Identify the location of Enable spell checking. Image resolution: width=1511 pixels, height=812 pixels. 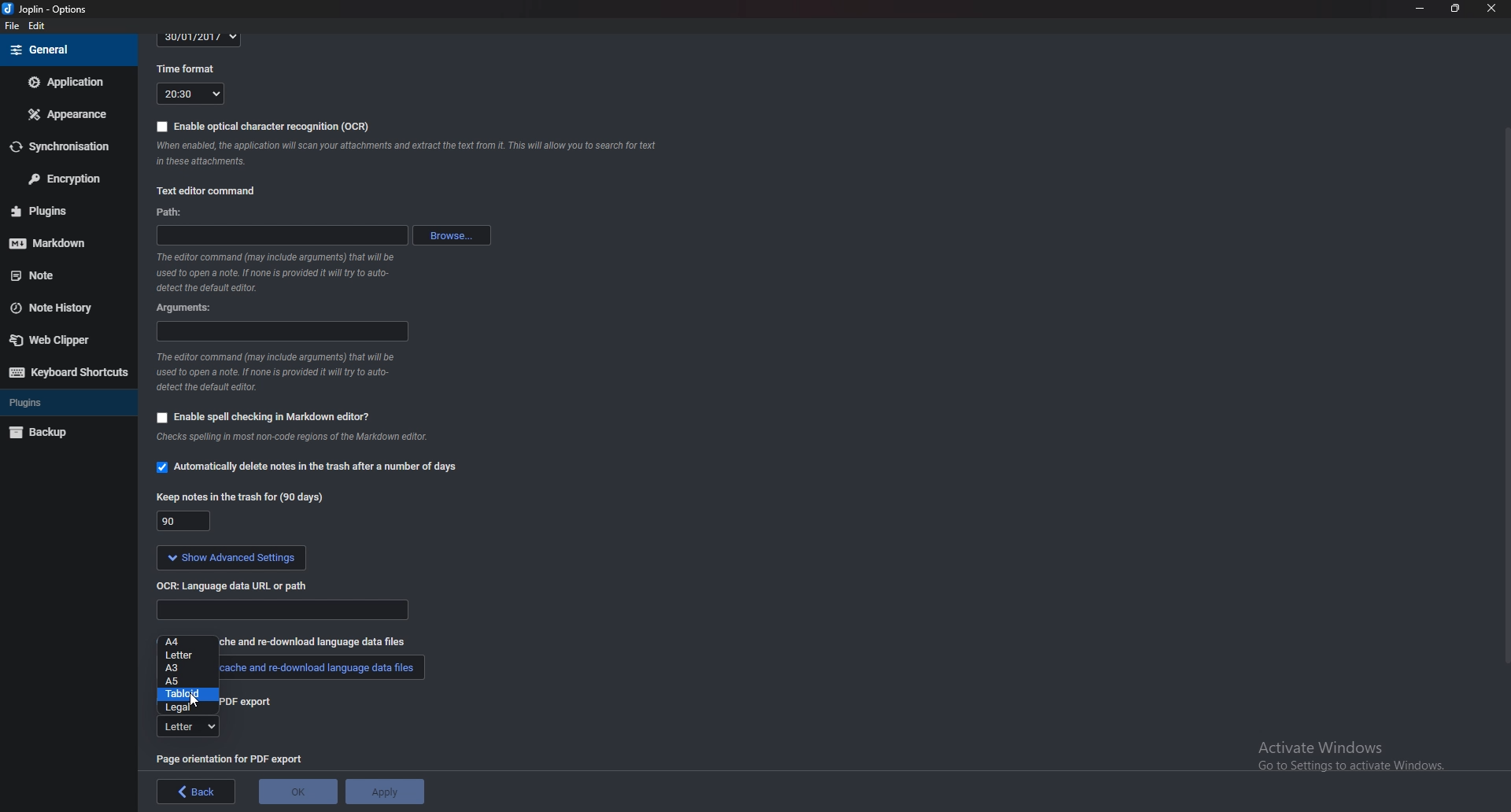
(263, 417).